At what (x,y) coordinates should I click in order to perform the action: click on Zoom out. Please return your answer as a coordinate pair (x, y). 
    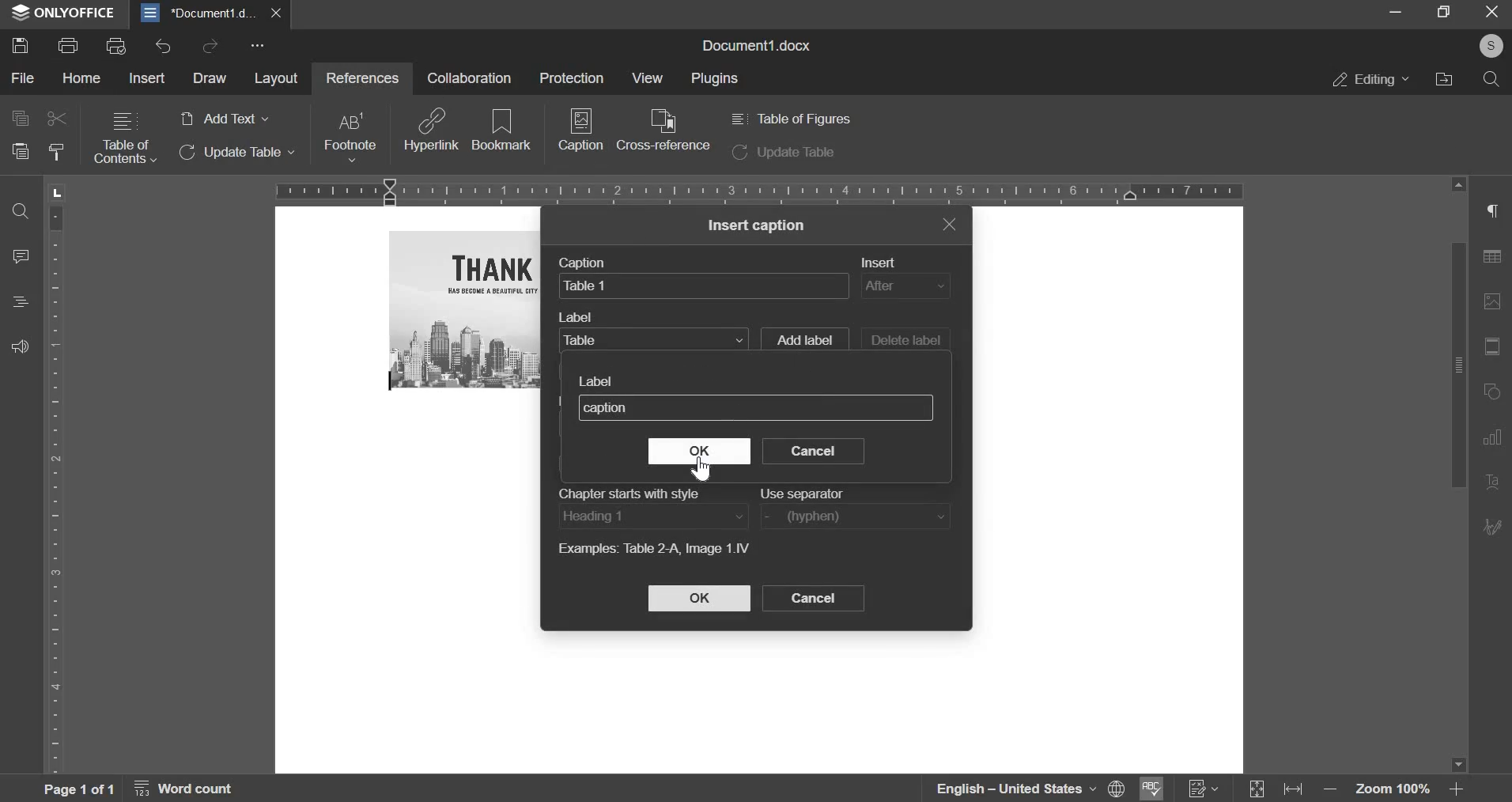
    Looking at the image, I should click on (1334, 793).